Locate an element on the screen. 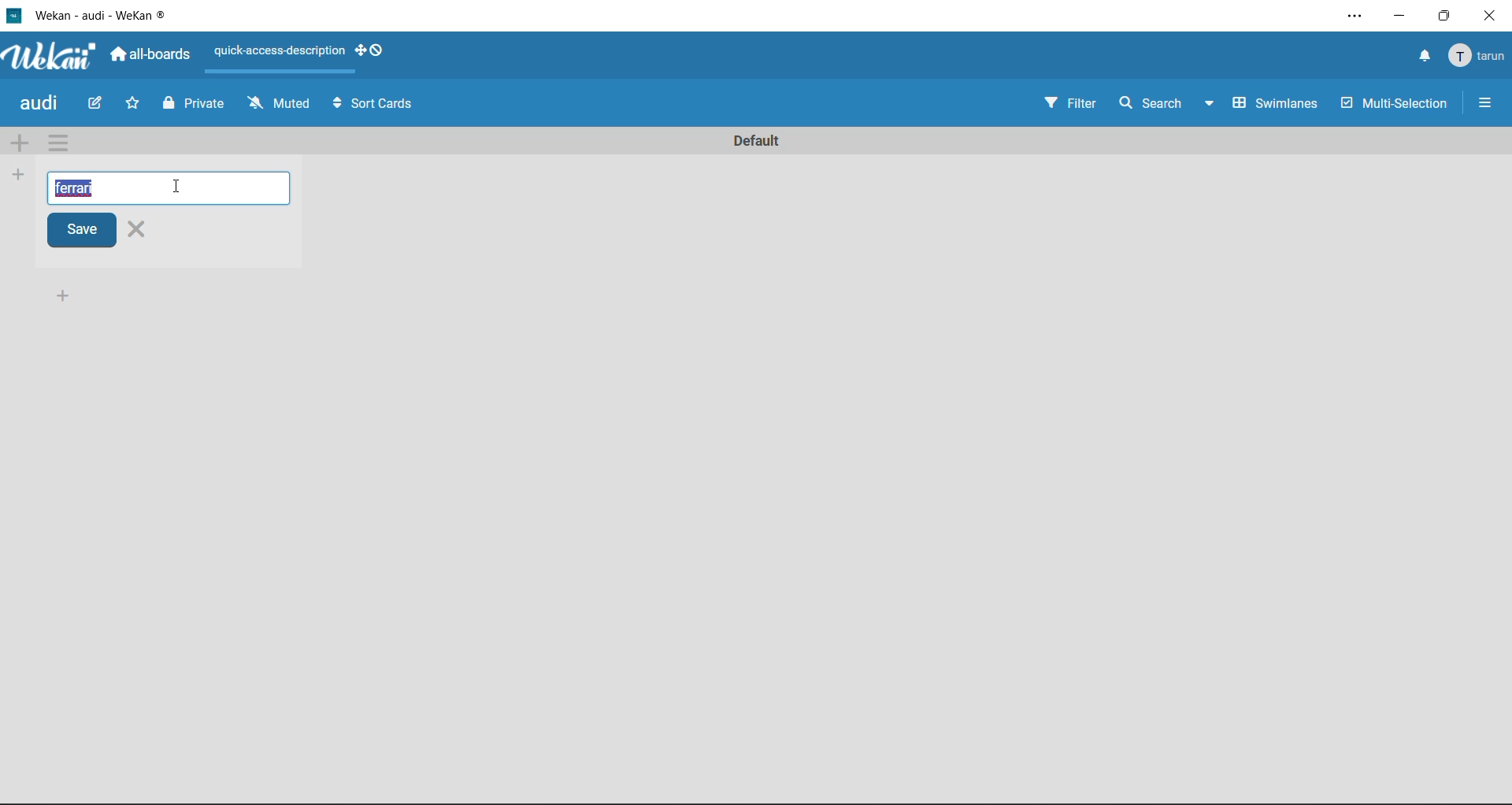 The width and height of the screenshot is (1512, 805). Private is located at coordinates (206, 105).